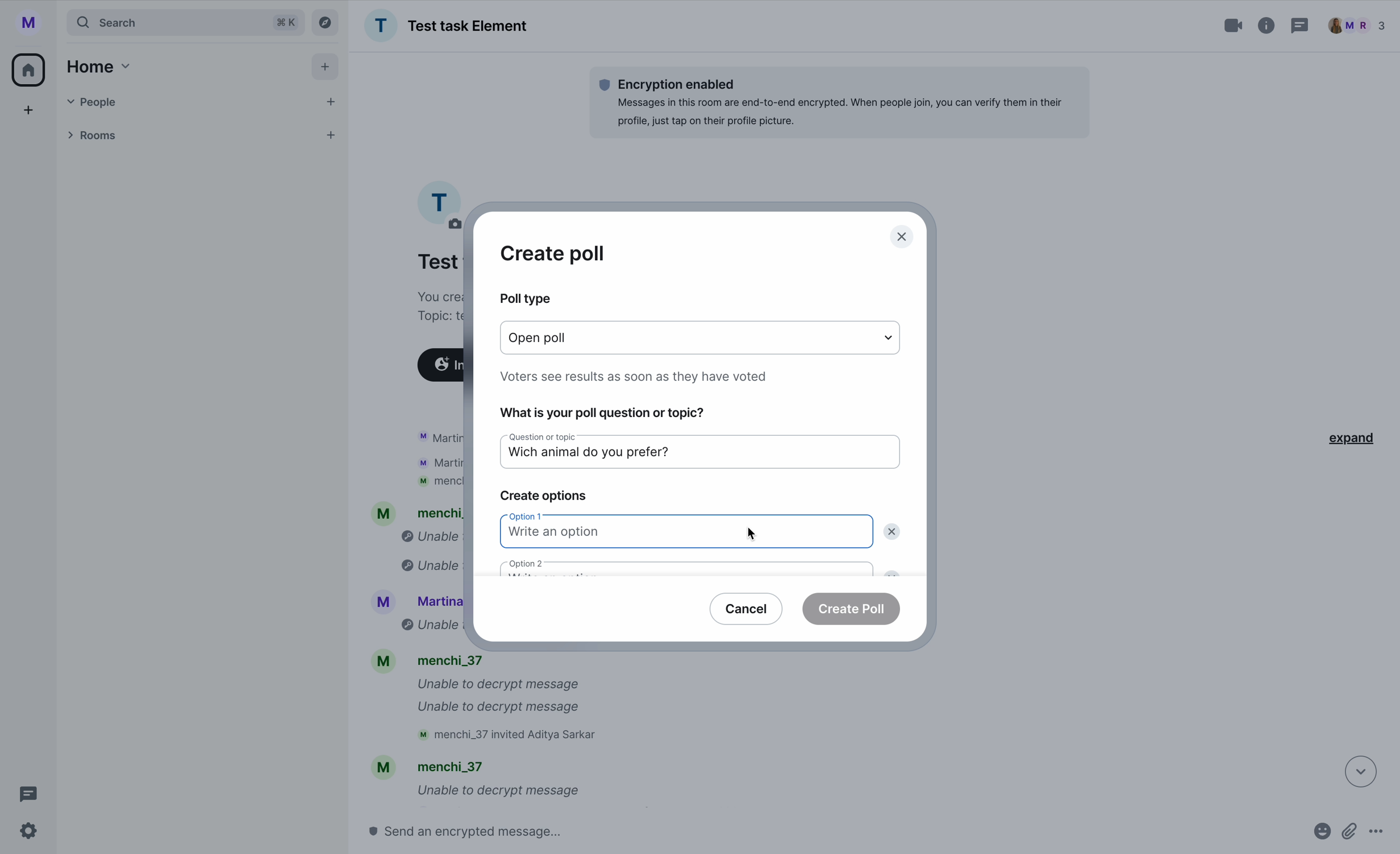 The height and width of the screenshot is (854, 1400). What do you see at coordinates (553, 253) in the screenshot?
I see `create poll` at bounding box center [553, 253].